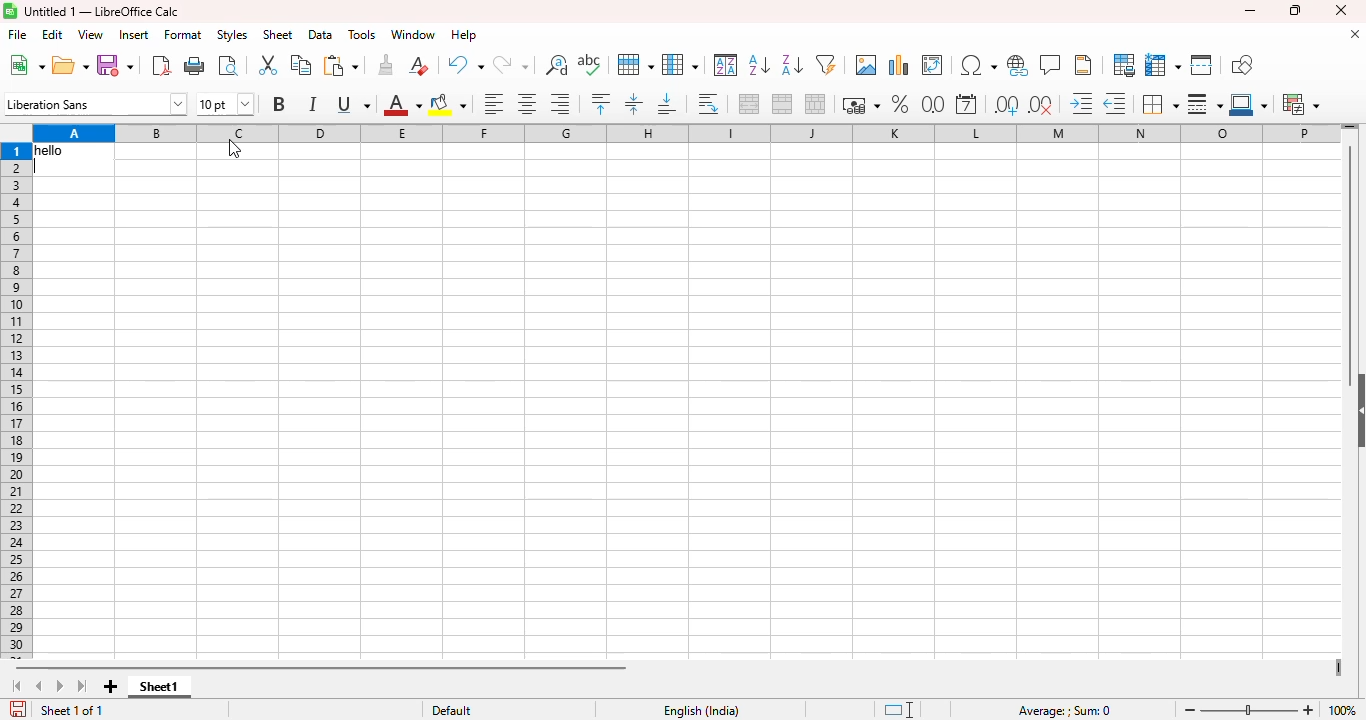 This screenshot has width=1366, height=720. Describe the element at coordinates (340, 65) in the screenshot. I see `paste` at that location.